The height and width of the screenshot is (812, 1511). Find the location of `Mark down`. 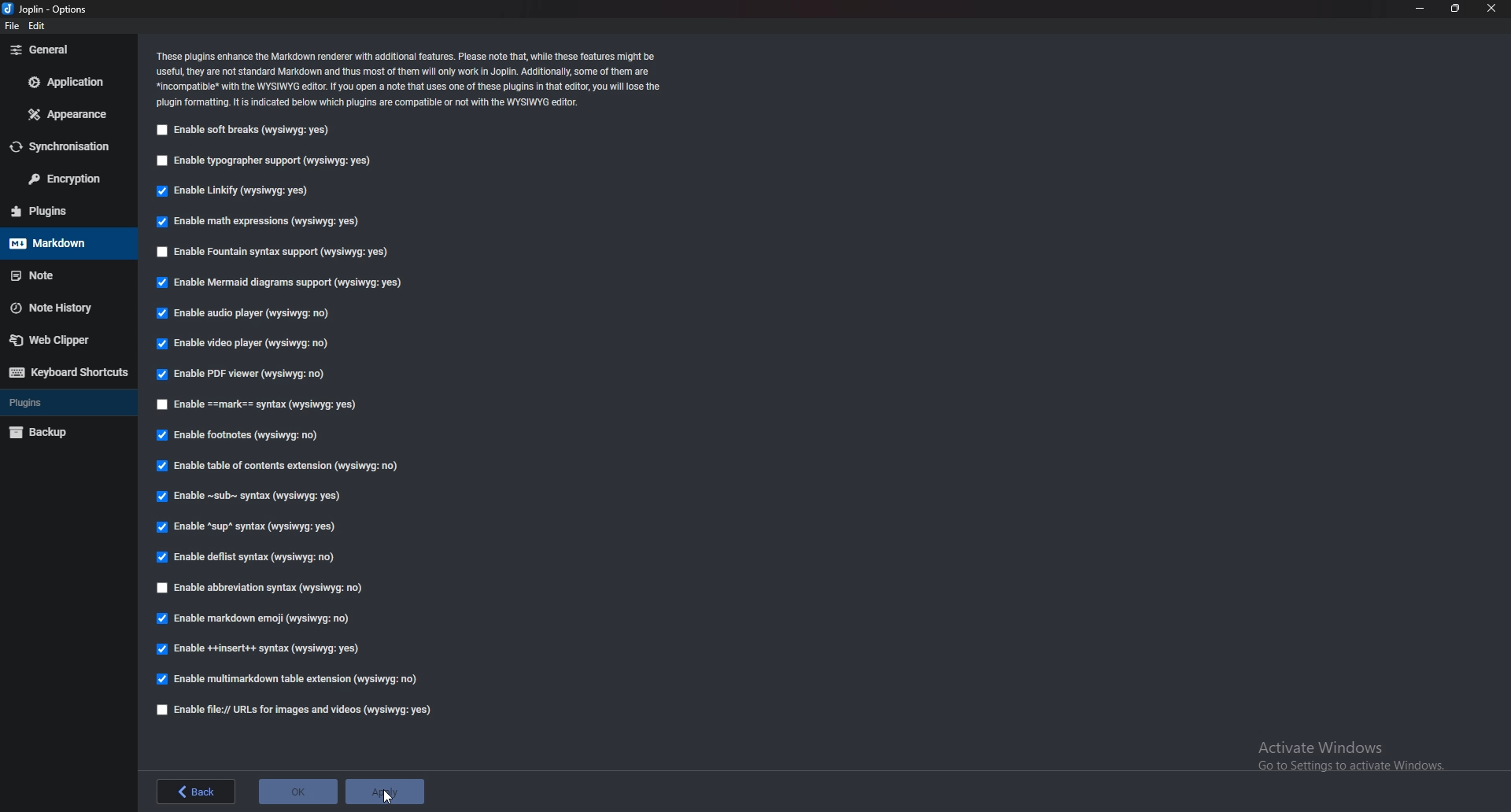

Mark down is located at coordinates (58, 245).